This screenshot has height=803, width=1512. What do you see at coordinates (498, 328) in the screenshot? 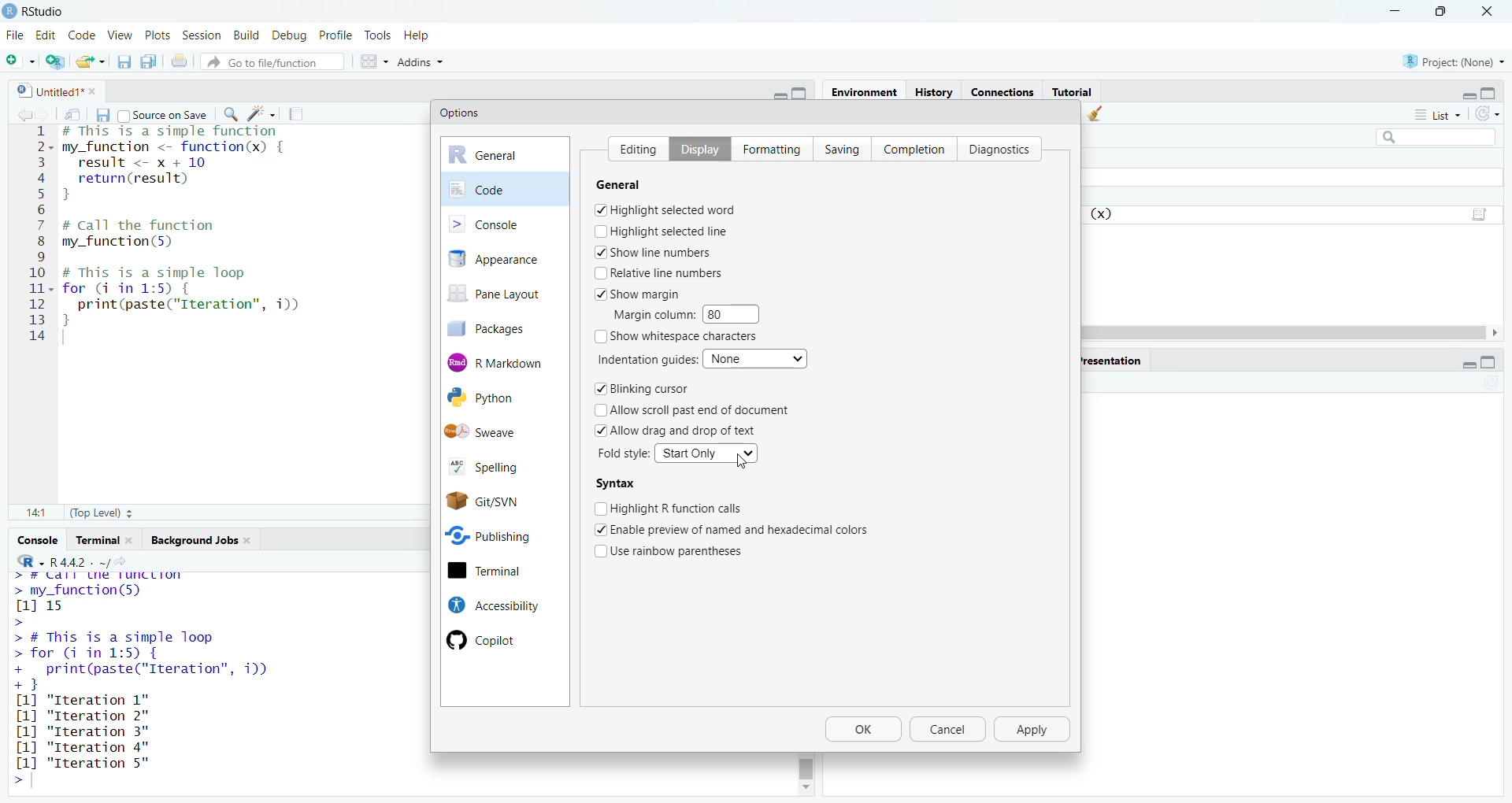
I see `packages` at bounding box center [498, 328].